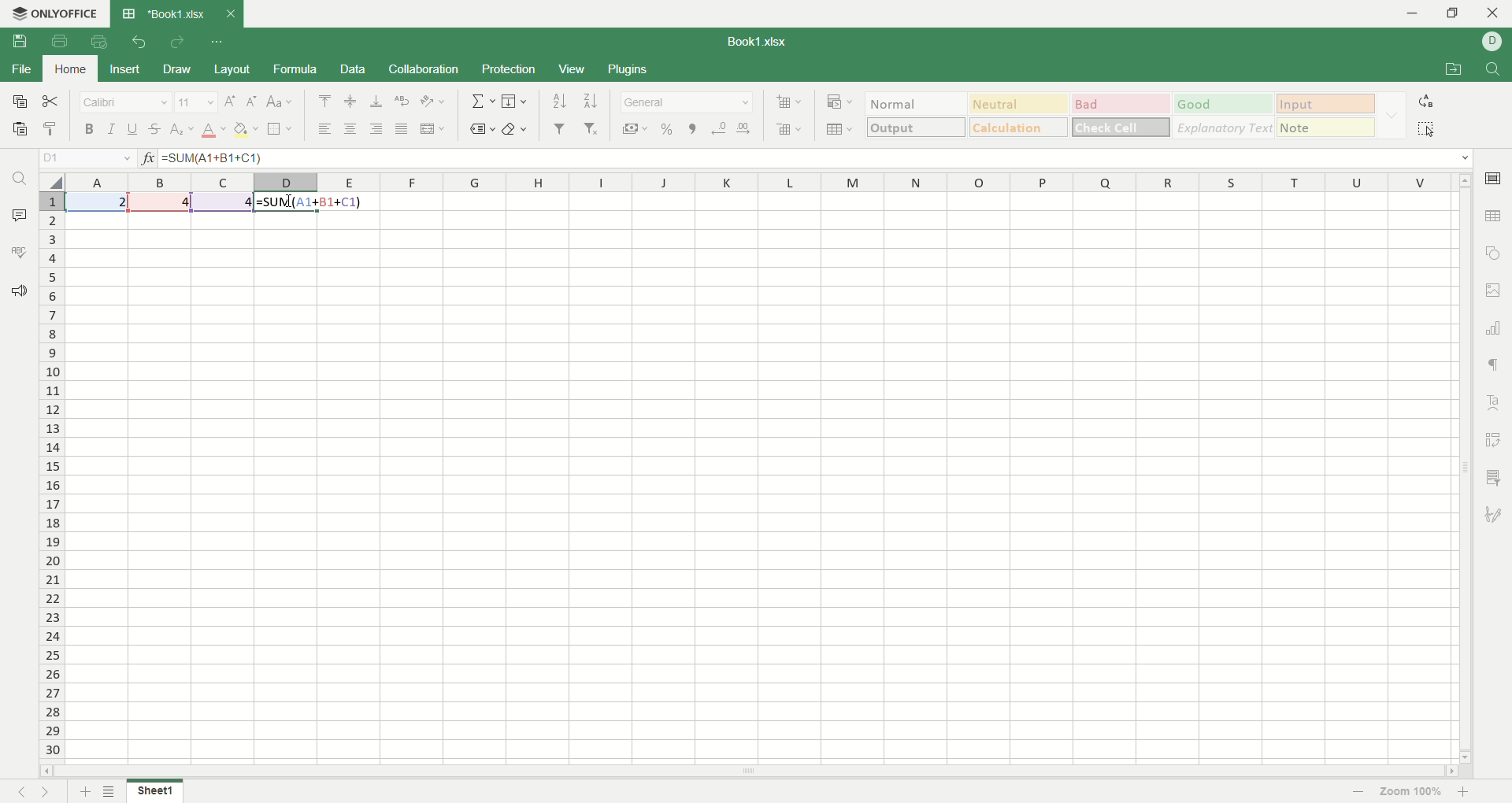 This screenshot has width=1512, height=803. Describe the element at coordinates (180, 69) in the screenshot. I see `draw` at that location.